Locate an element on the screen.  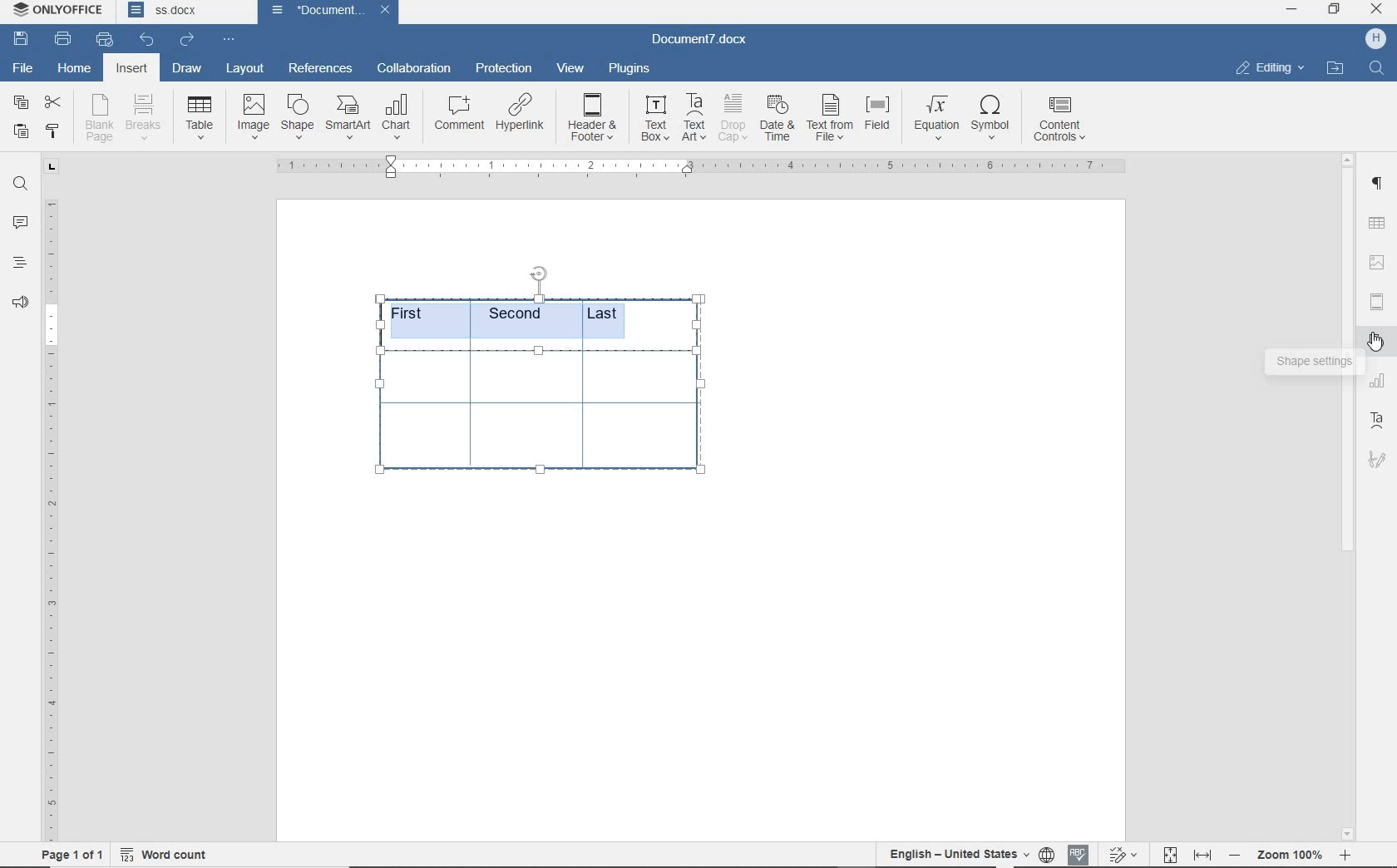
content controls is located at coordinates (1063, 121).